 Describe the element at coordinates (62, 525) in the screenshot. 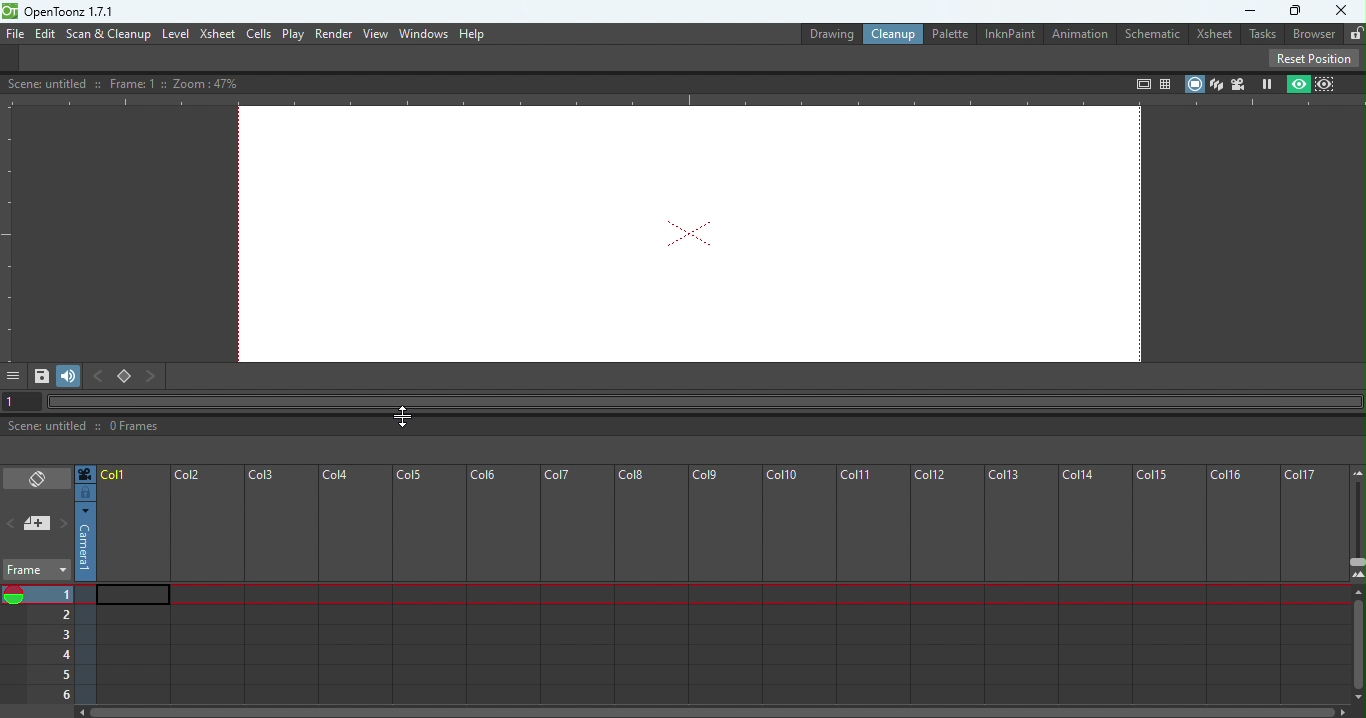

I see `Next memo` at that location.